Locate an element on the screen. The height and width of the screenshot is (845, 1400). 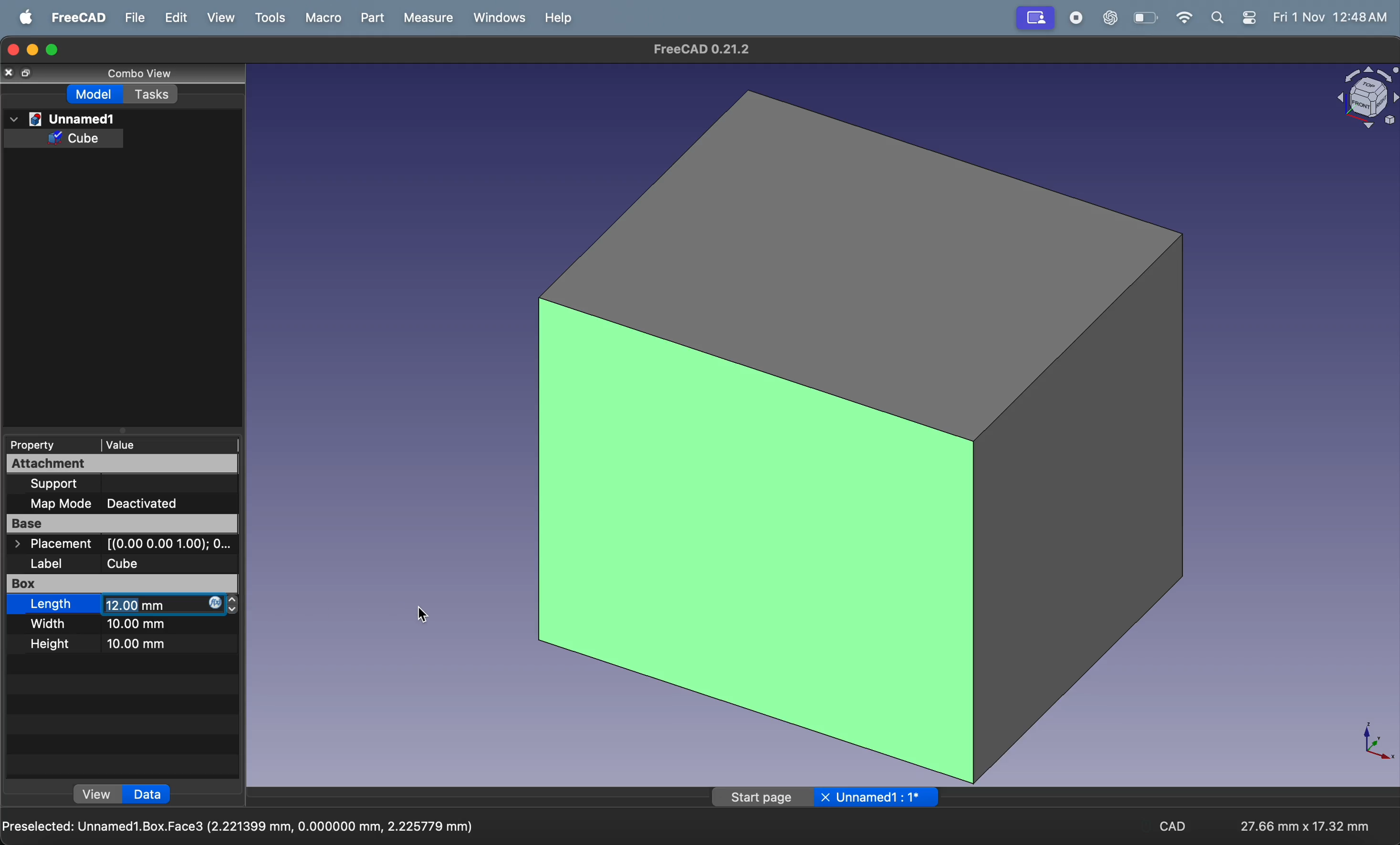
Fri 1 Nov 12:48 AM is located at coordinates (1334, 17).